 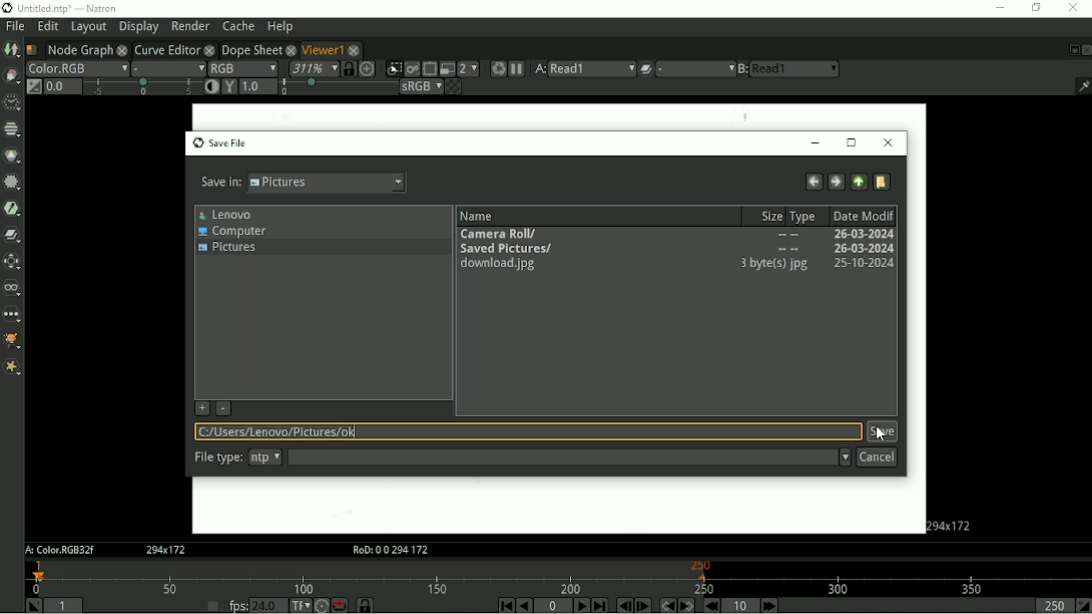 I want to click on Viewer input A, so click(x=536, y=69).